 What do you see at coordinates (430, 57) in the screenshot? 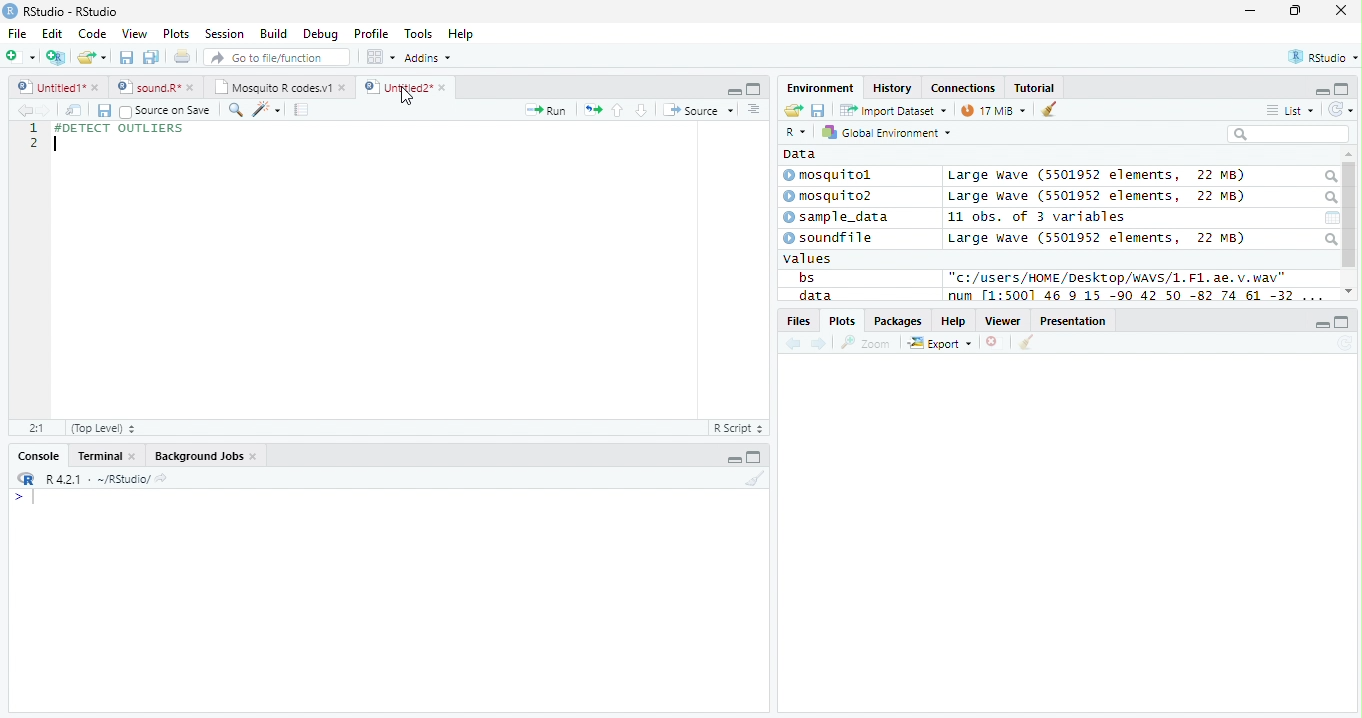
I see `Addins` at bounding box center [430, 57].